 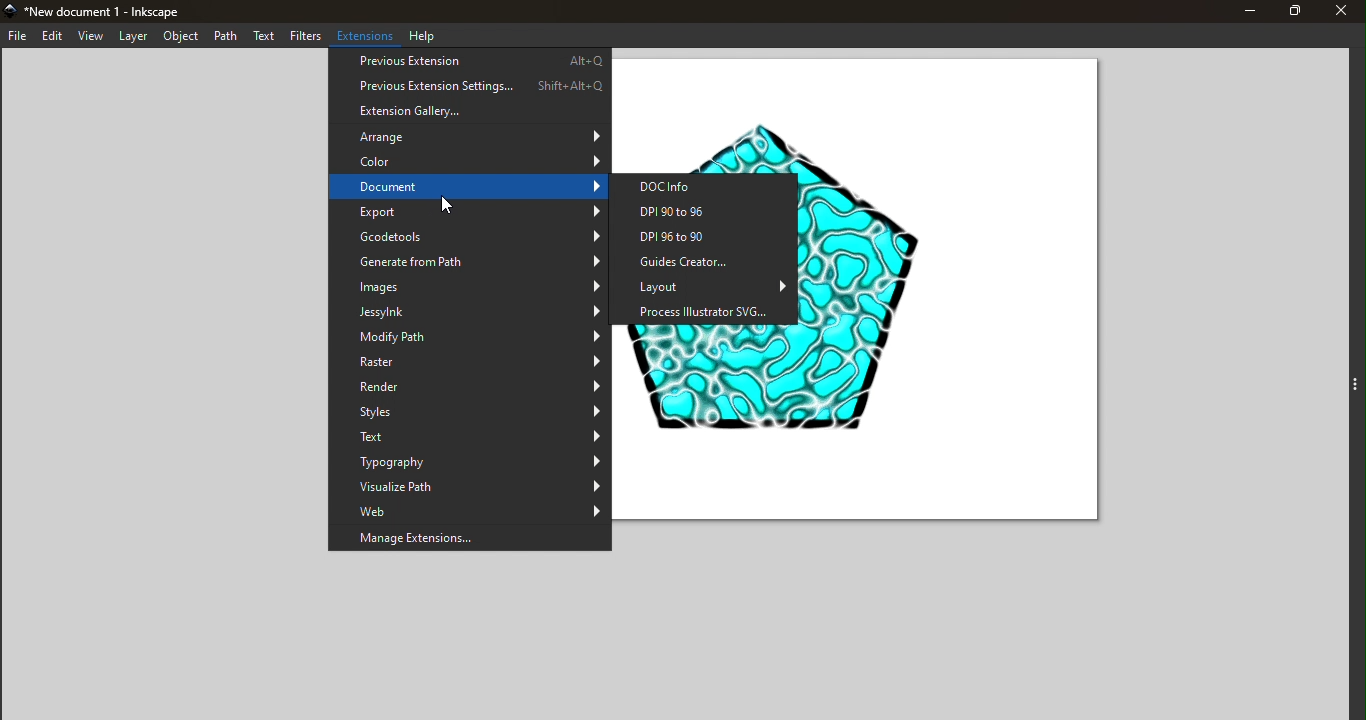 What do you see at coordinates (306, 37) in the screenshot?
I see `Filters` at bounding box center [306, 37].